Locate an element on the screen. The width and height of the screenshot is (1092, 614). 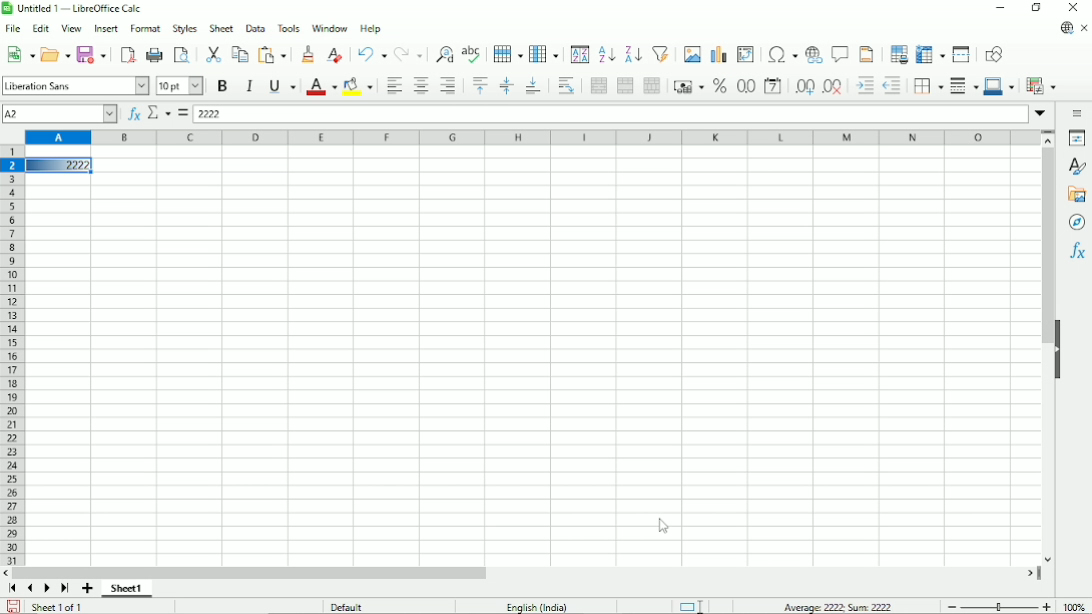
Tools is located at coordinates (287, 28).